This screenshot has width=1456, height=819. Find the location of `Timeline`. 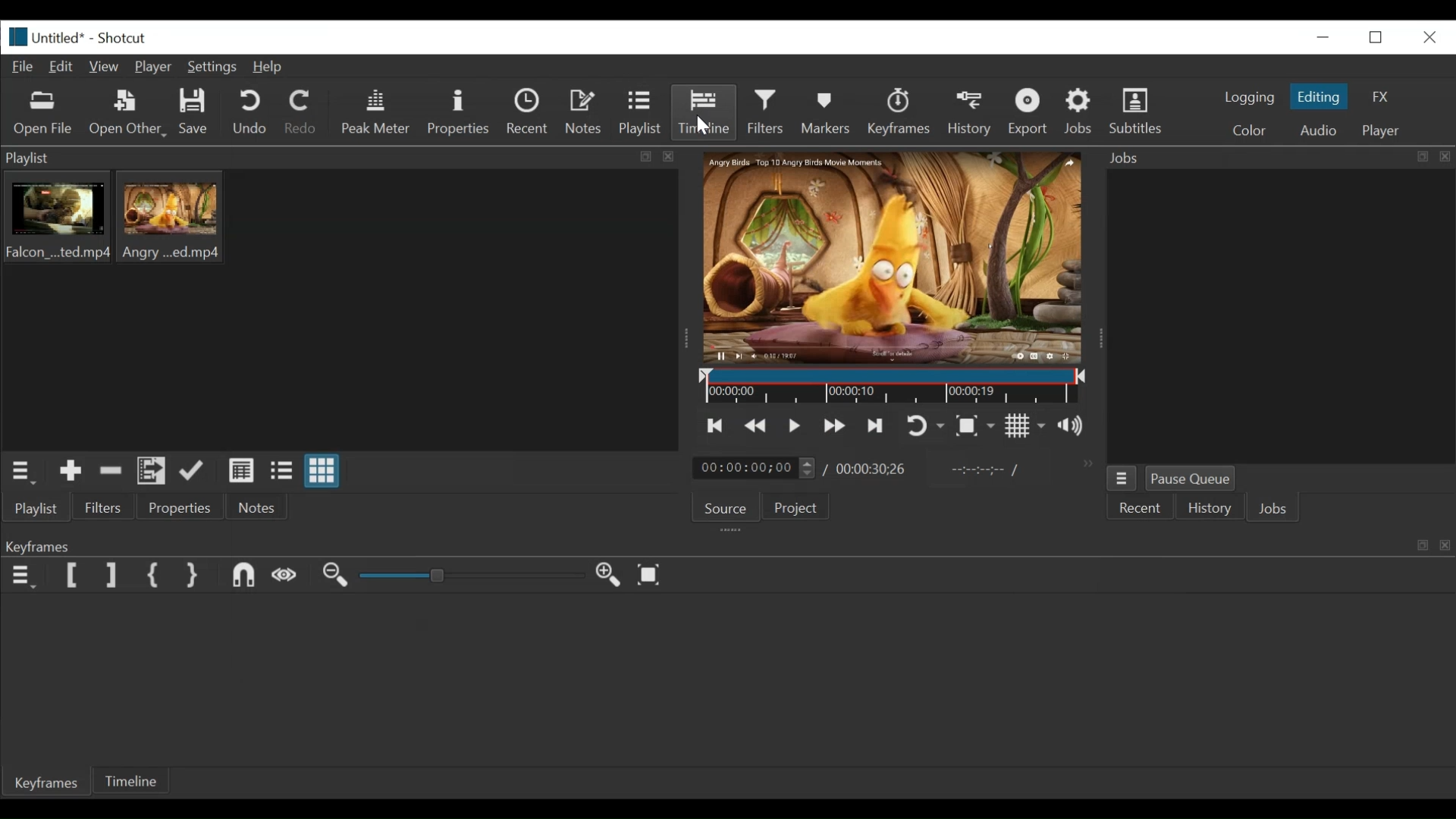

Timeline is located at coordinates (708, 117).